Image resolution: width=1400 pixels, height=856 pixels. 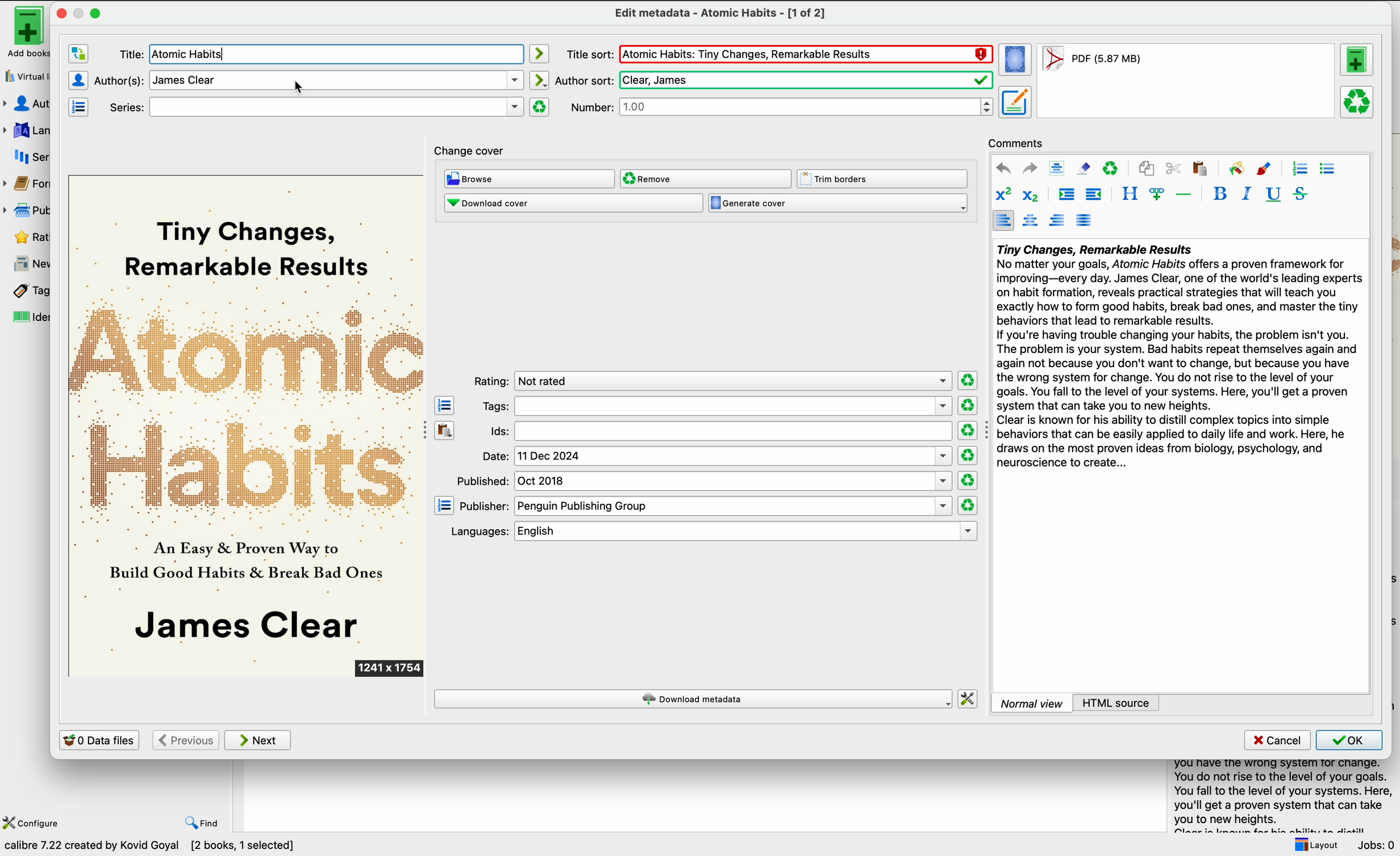 I want to click on languages: english, so click(x=709, y=531).